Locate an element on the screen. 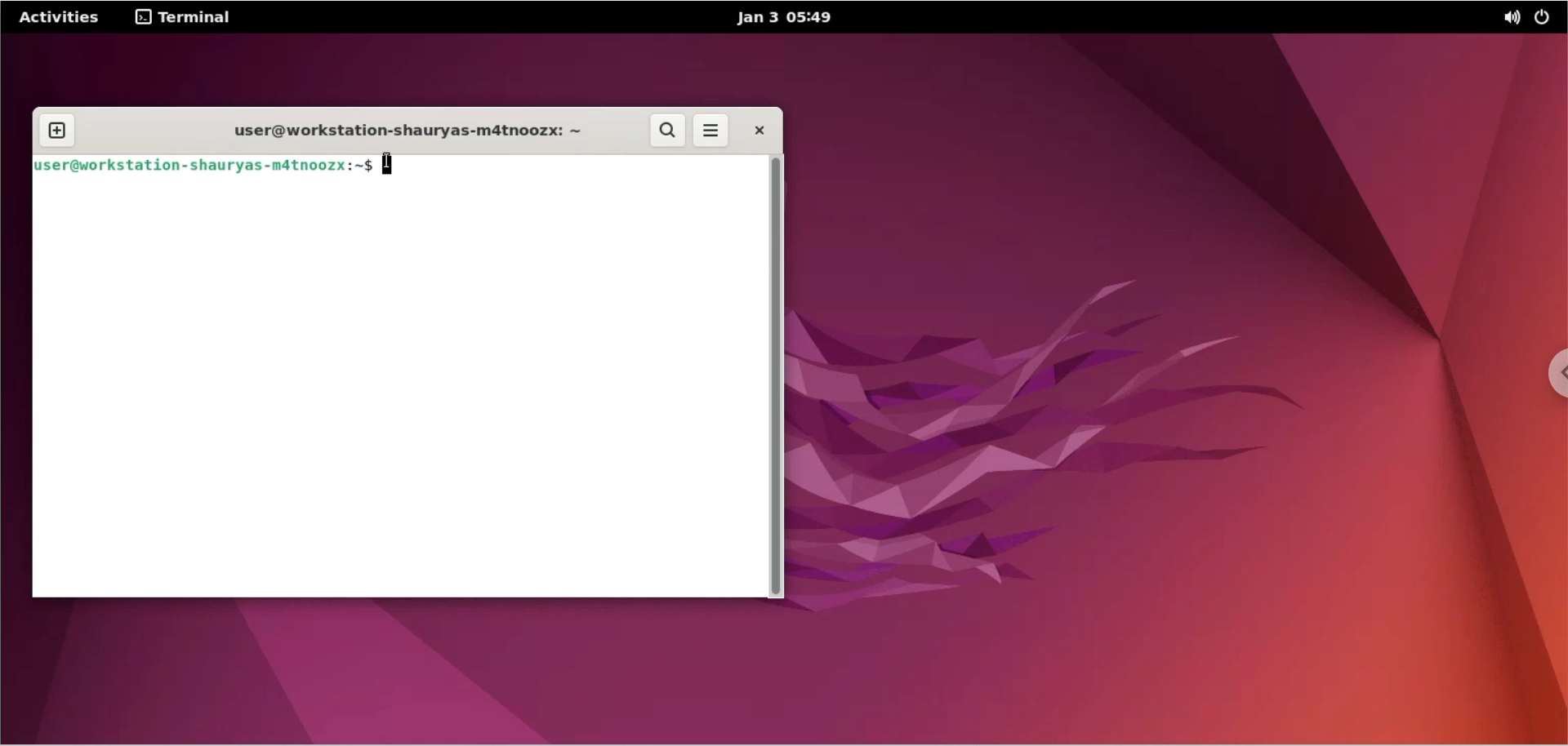 The height and width of the screenshot is (746, 1568). terminal is located at coordinates (188, 16).